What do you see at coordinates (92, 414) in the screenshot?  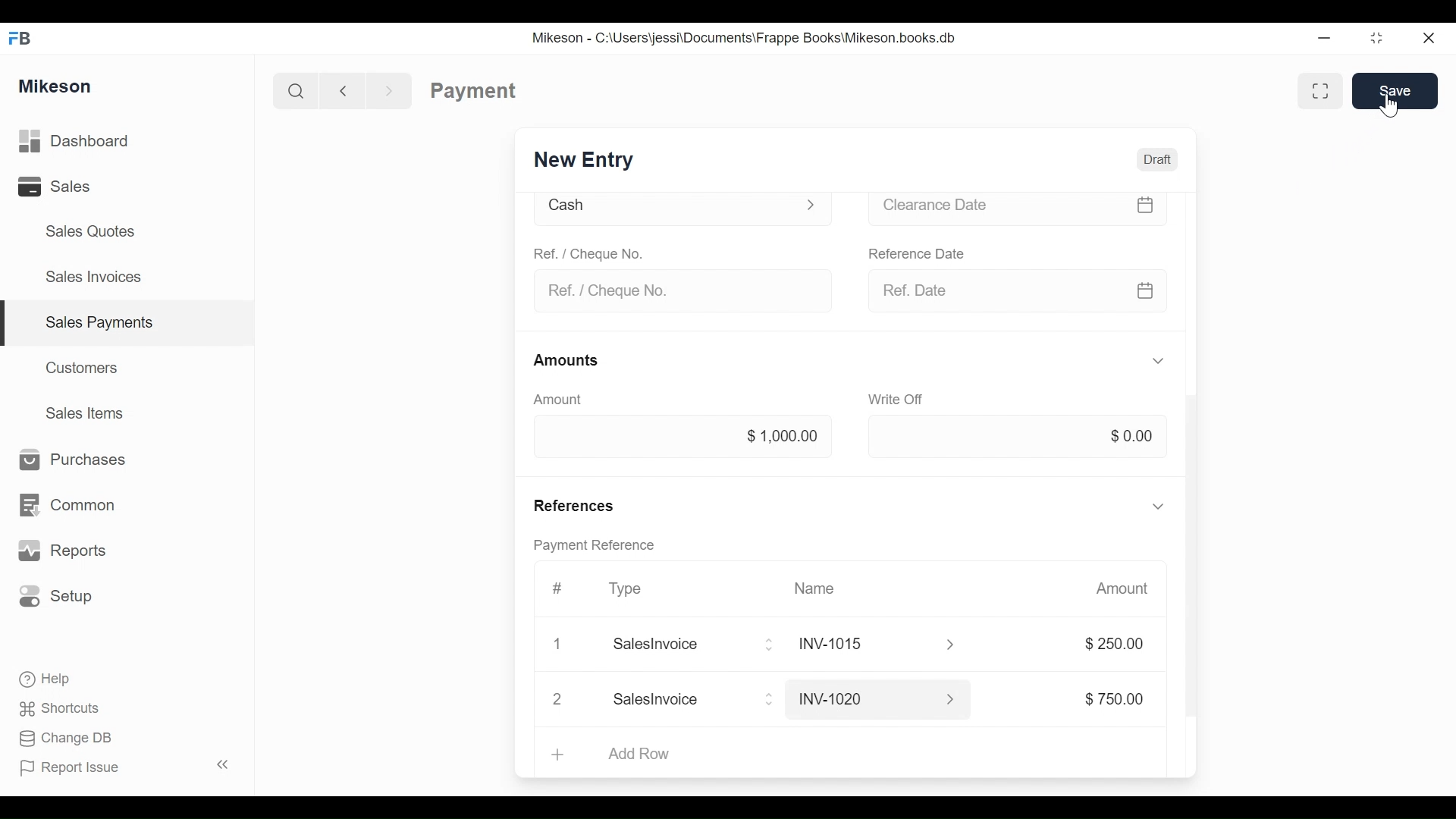 I see `Sales Items` at bounding box center [92, 414].